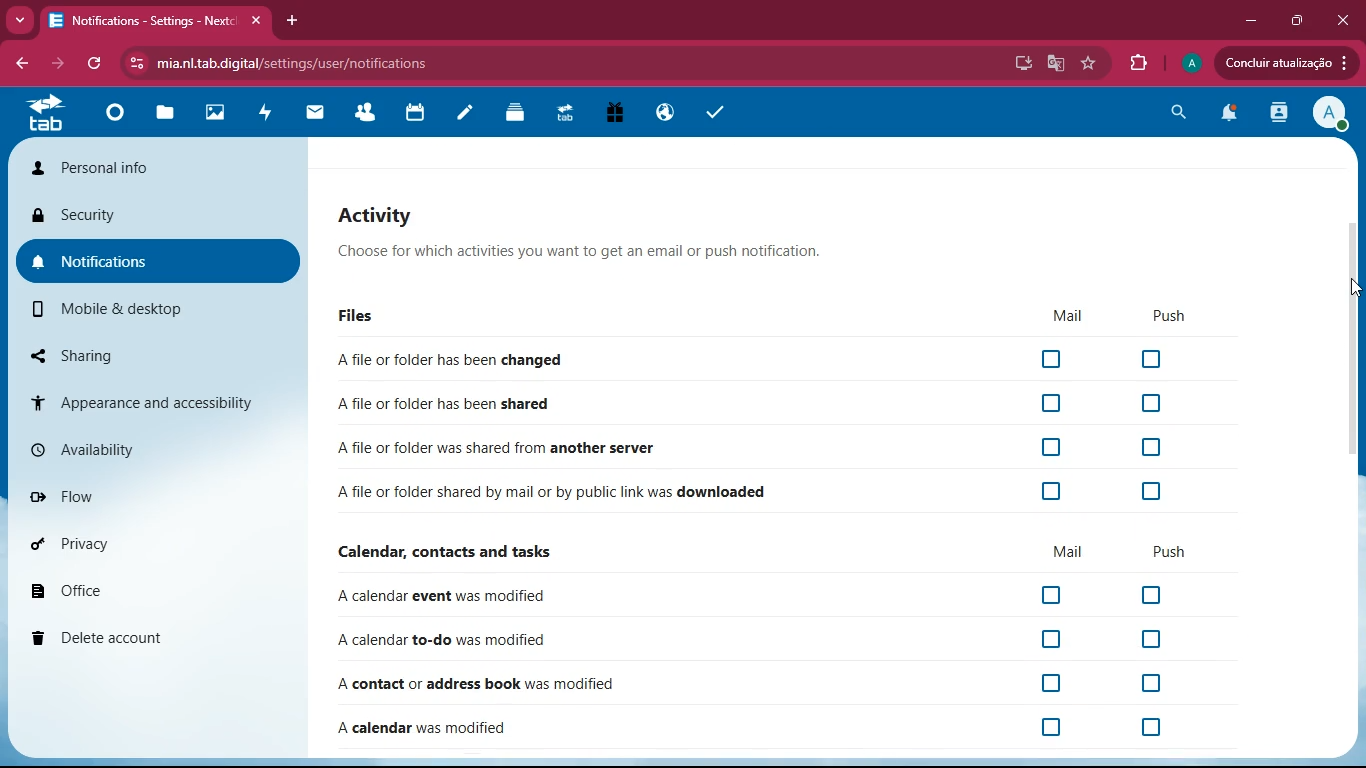  Describe the element at coordinates (1170, 552) in the screenshot. I see `push` at that location.